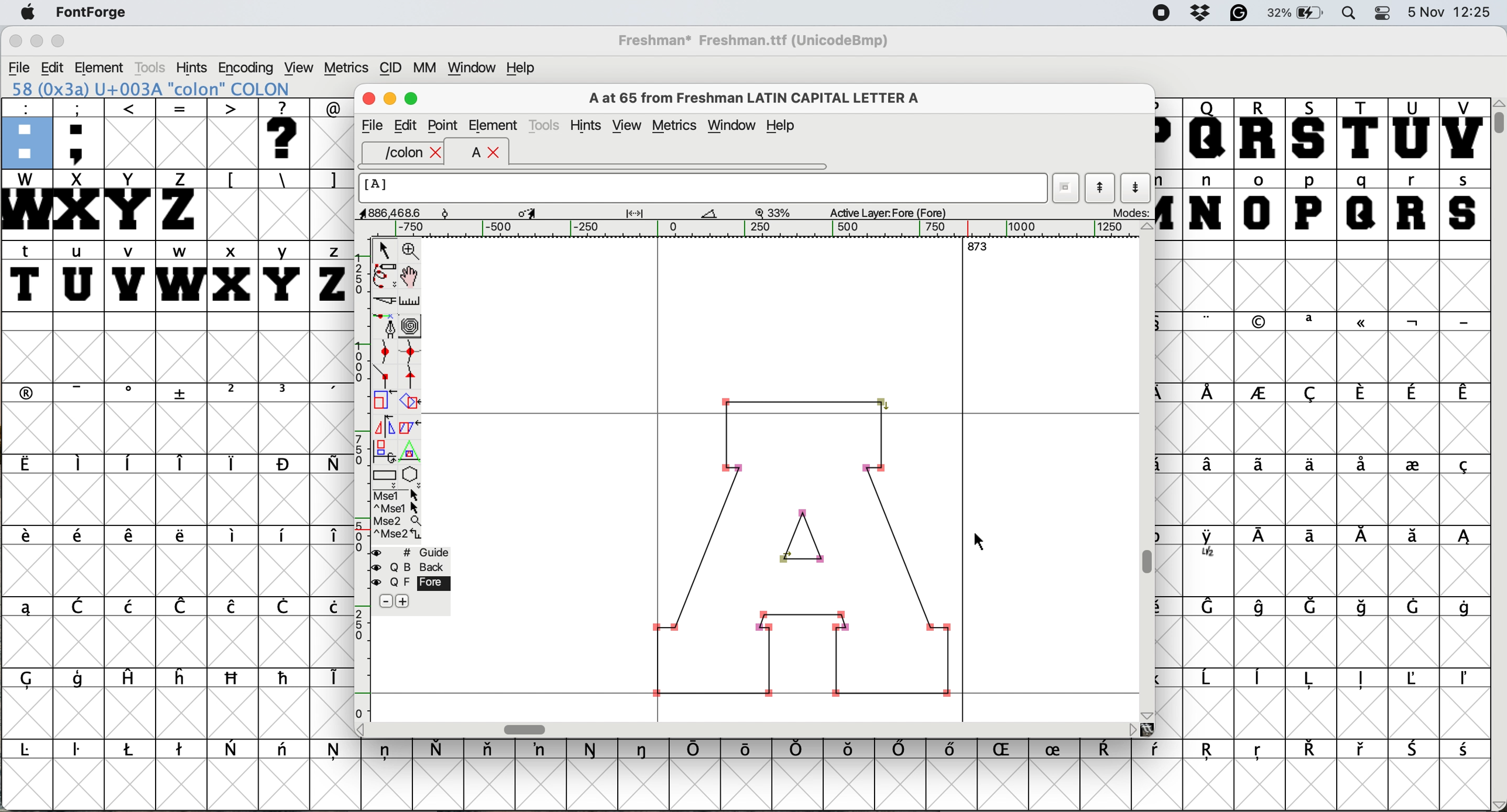 The height and width of the screenshot is (812, 1507). I want to click on \, so click(283, 180).